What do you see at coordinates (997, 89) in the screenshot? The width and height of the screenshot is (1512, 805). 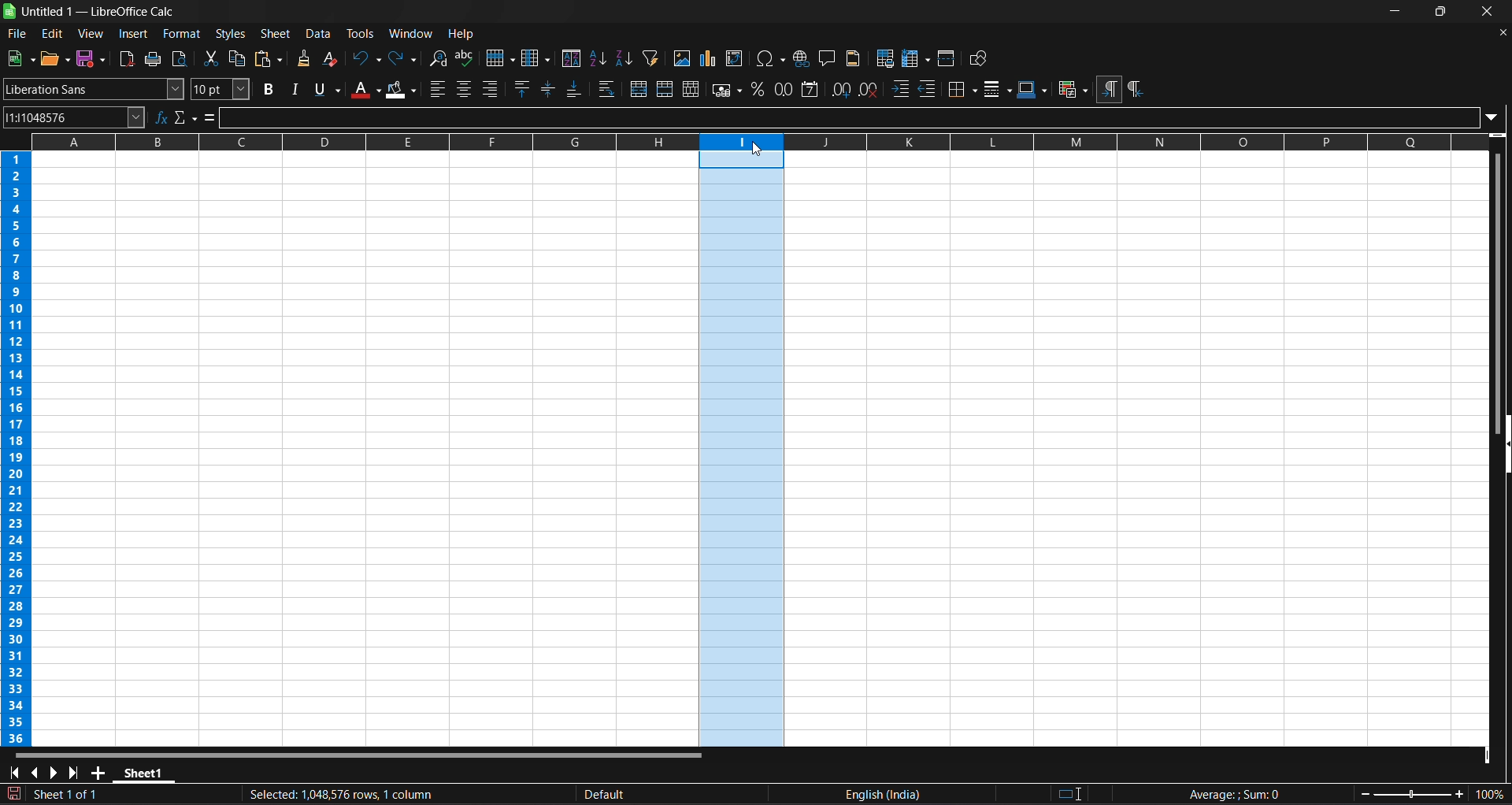 I see `border styles` at bounding box center [997, 89].